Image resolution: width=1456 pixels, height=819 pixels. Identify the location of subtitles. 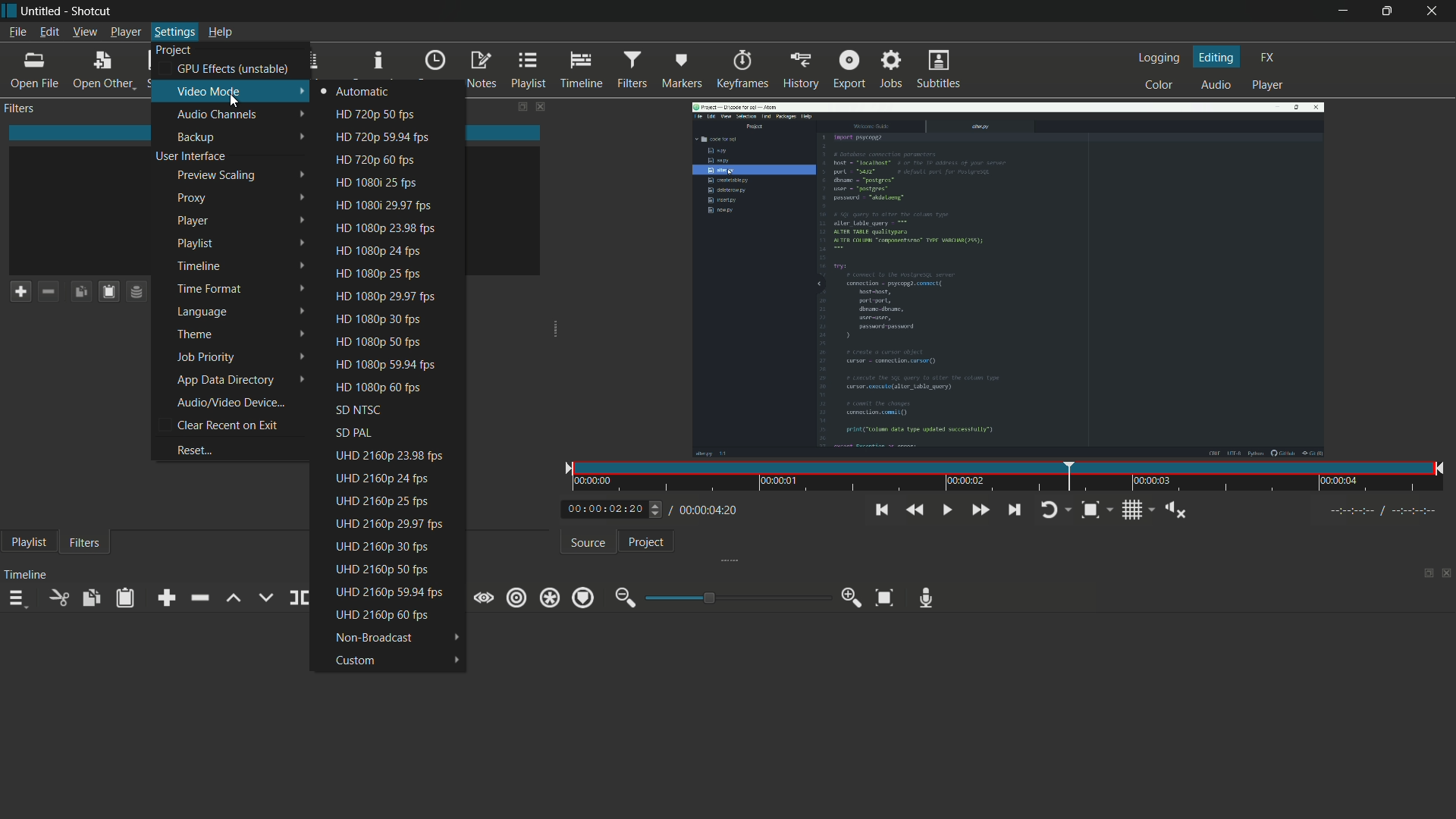
(939, 69).